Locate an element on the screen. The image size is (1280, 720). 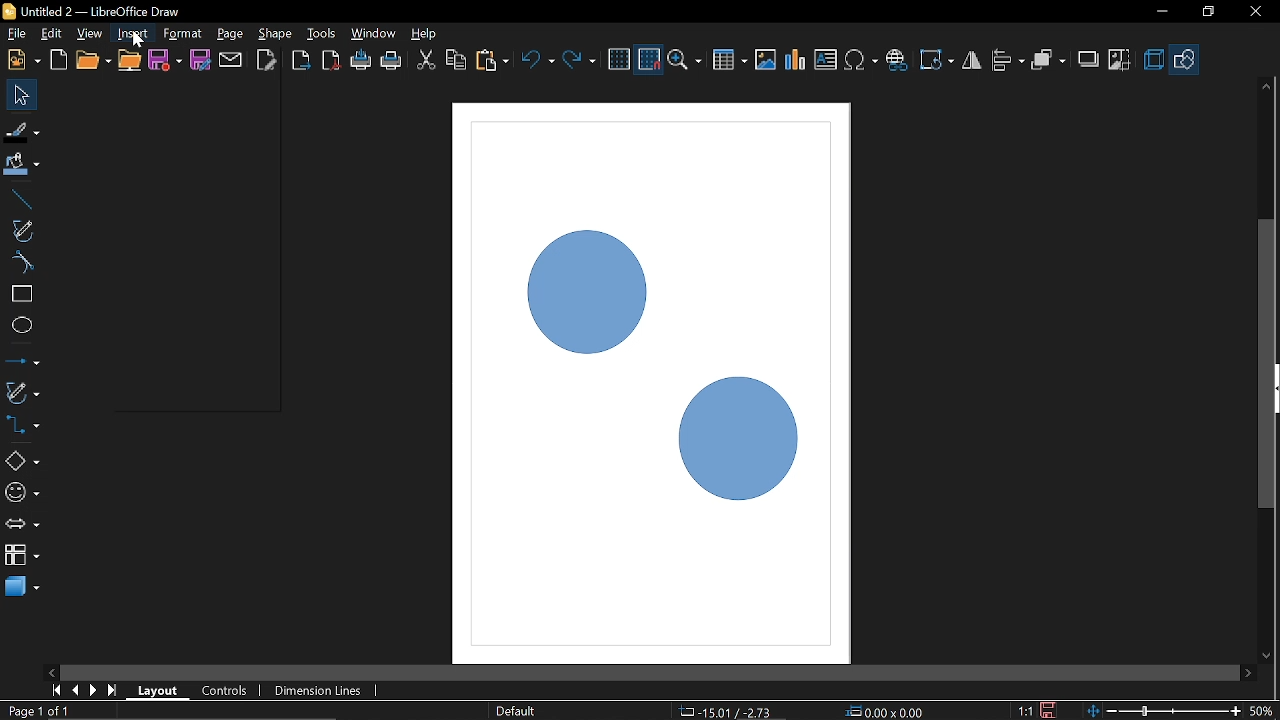
Style is located at coordinates (513, 711).